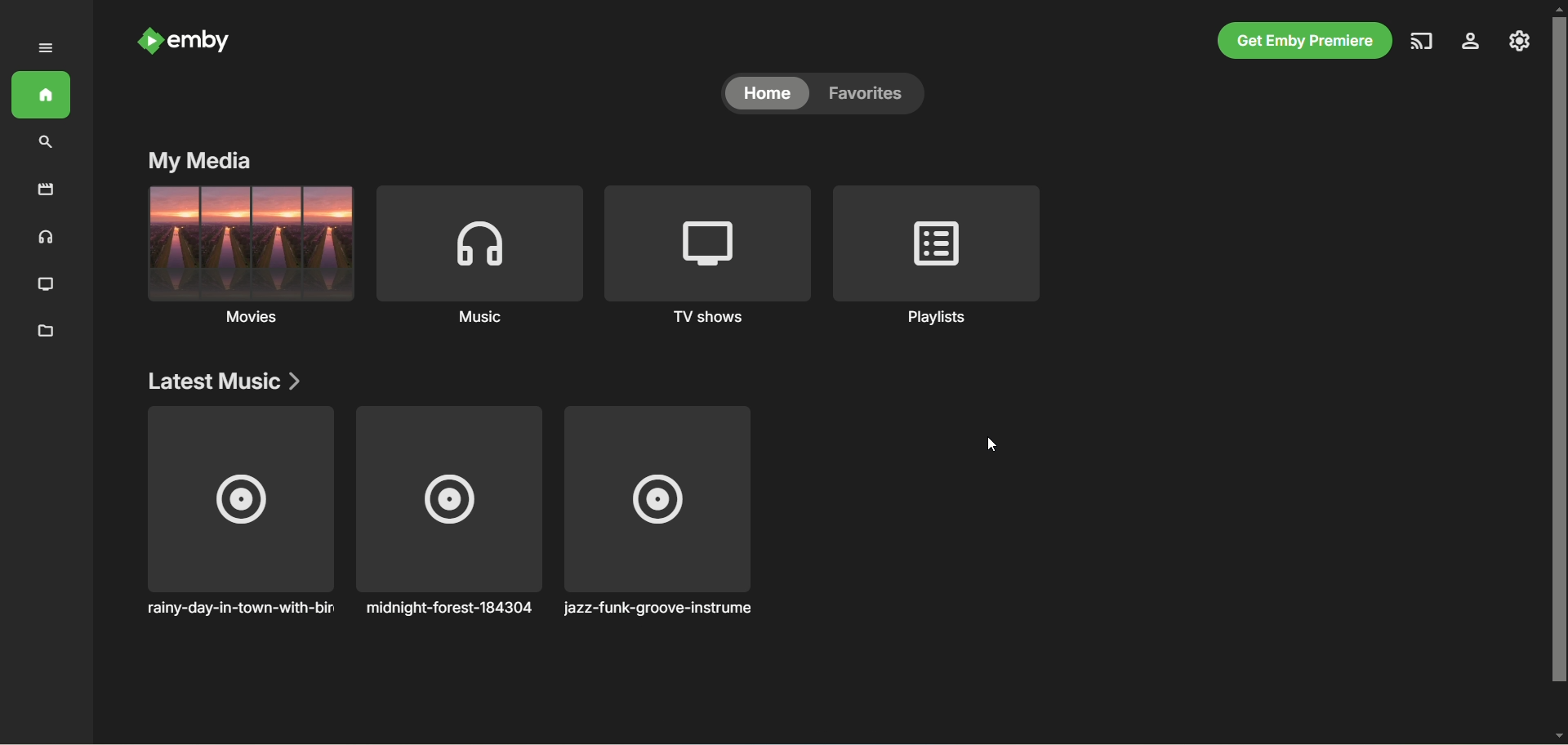 This screenshot has width=1568, height=745. What do you see at coordinates (479, 257) in the screenshot?
I see `Music` at bounding box center [479, 257].